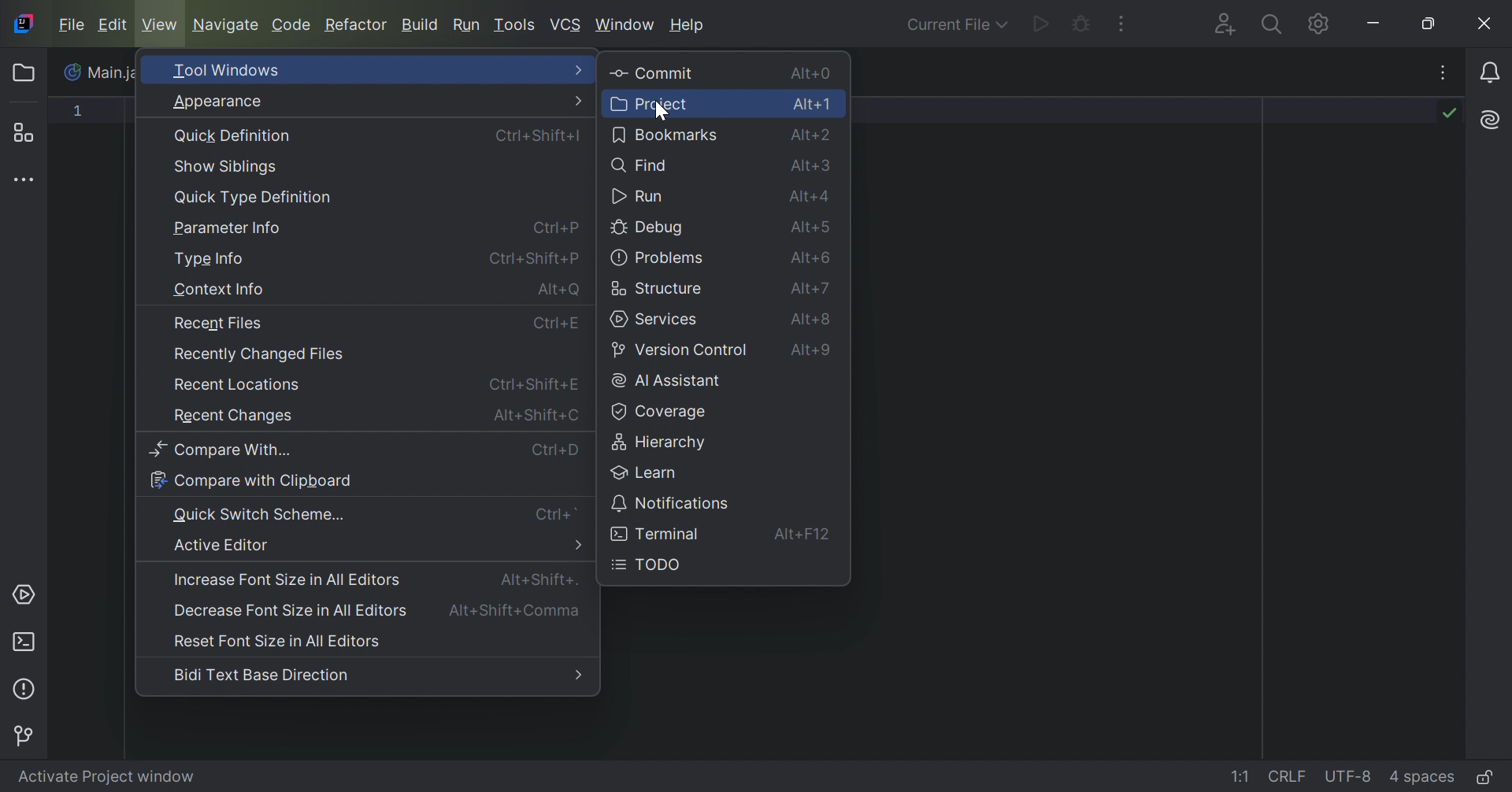 The width and height of the screenshot is (1512, 792). Describe the element at coordinates (657, 412) in the screenshot. I see `Coverage` at that location.